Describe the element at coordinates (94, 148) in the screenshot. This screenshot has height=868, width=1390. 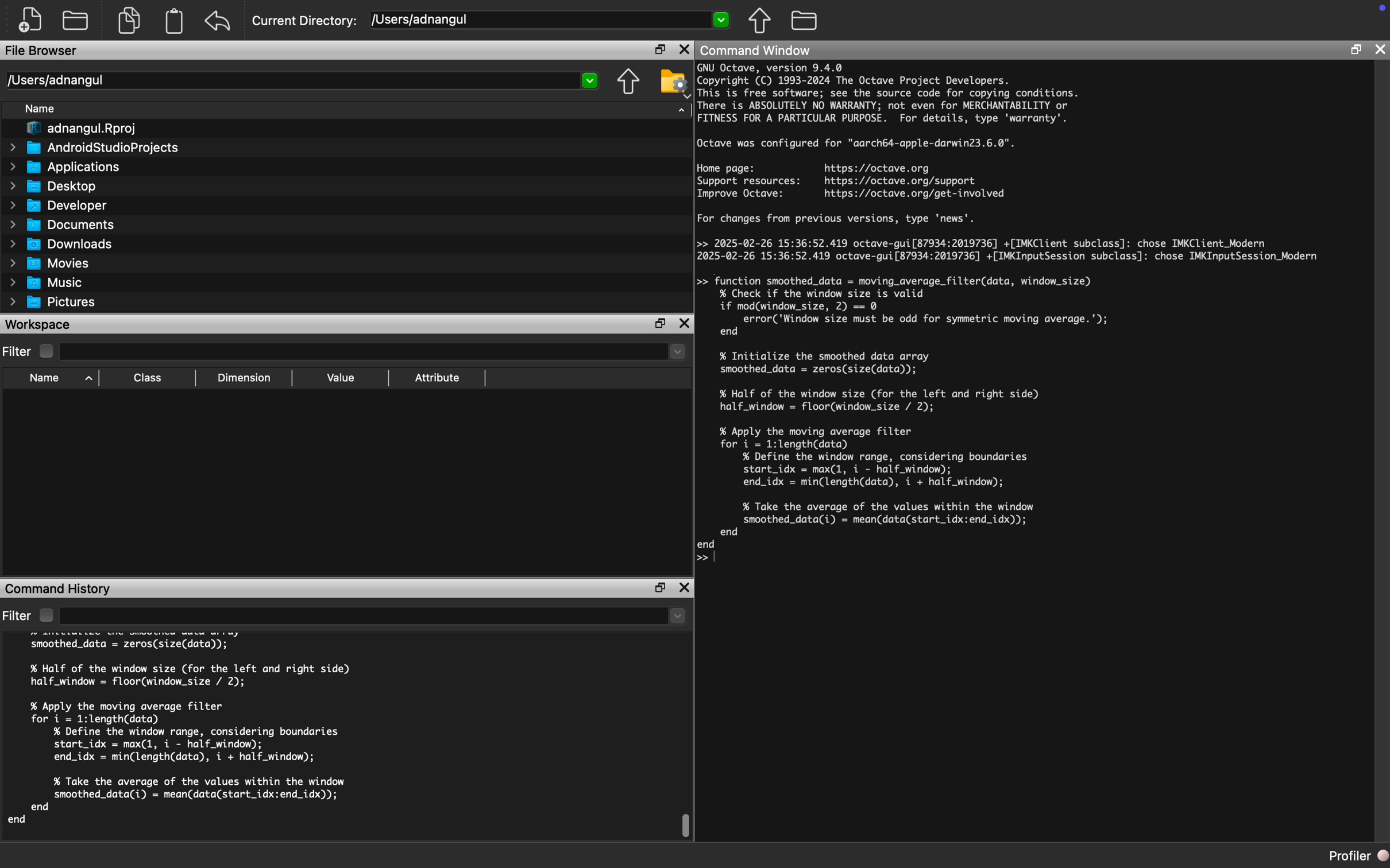
I see `AndroidStudioProjects` at that location.